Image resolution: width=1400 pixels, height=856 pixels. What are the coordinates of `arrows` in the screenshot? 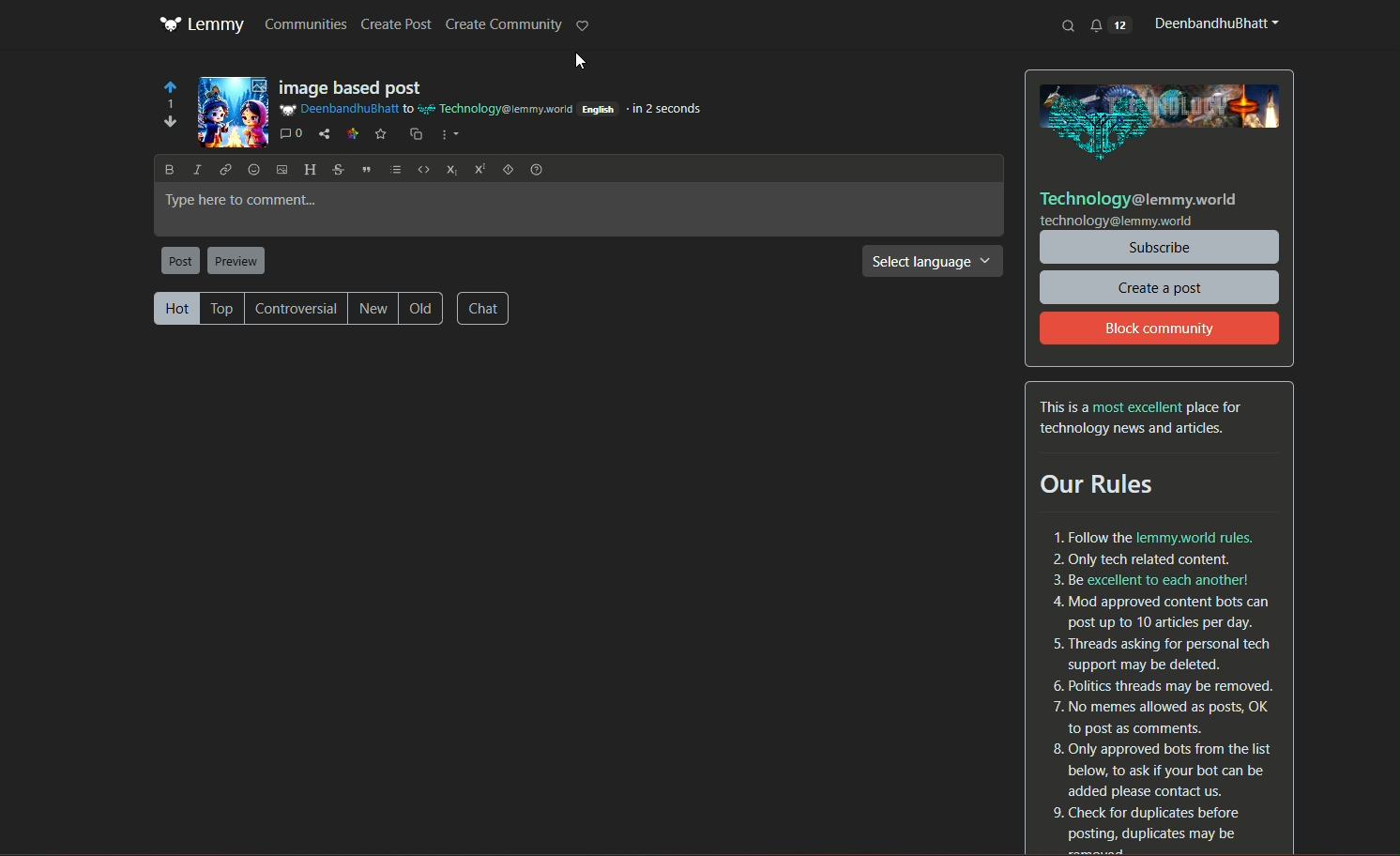 It's located at (166, 108).